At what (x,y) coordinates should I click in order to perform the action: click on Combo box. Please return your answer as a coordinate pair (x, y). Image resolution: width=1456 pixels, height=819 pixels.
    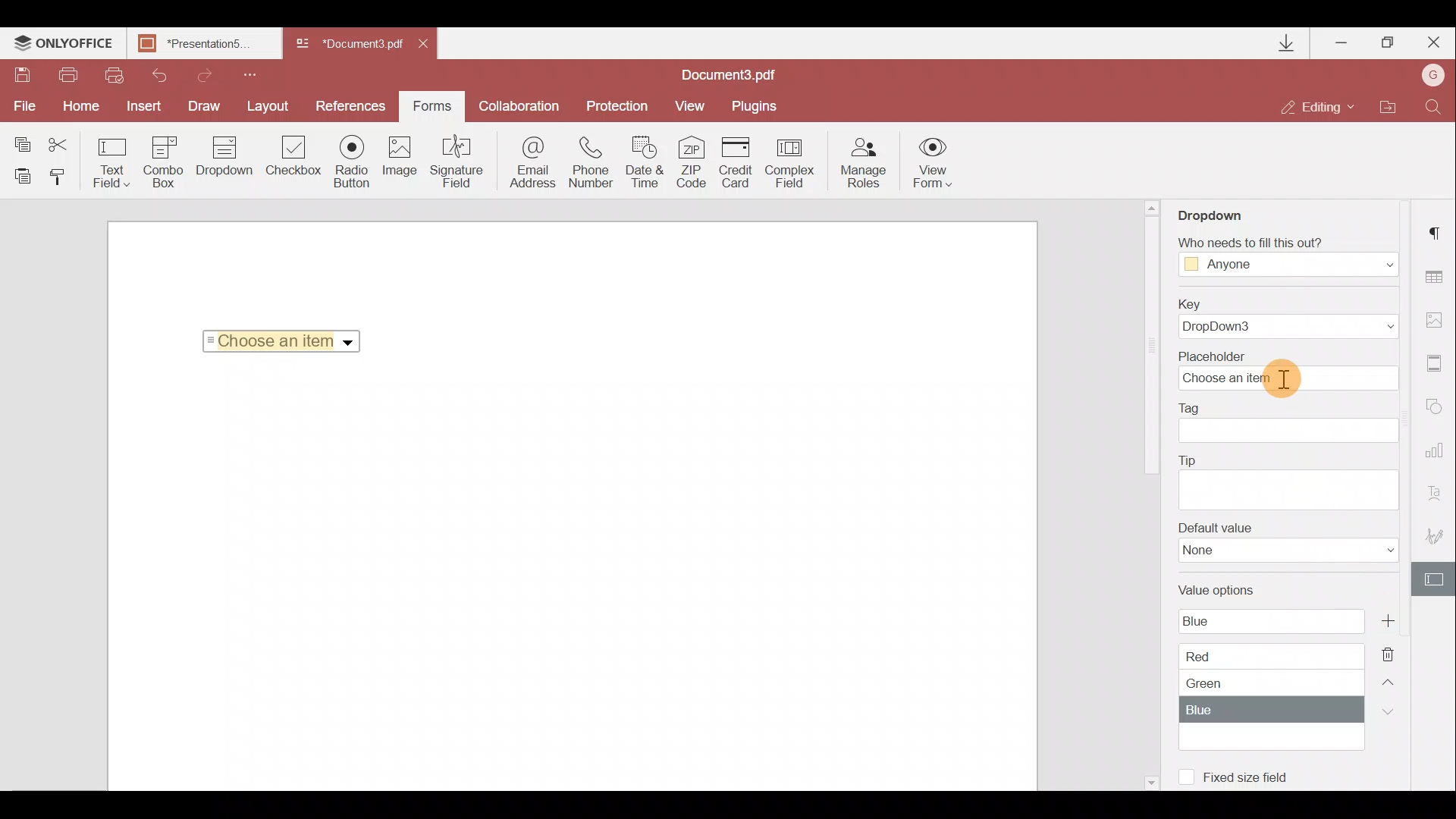
    Looking at the image, I should click on (162, 162).